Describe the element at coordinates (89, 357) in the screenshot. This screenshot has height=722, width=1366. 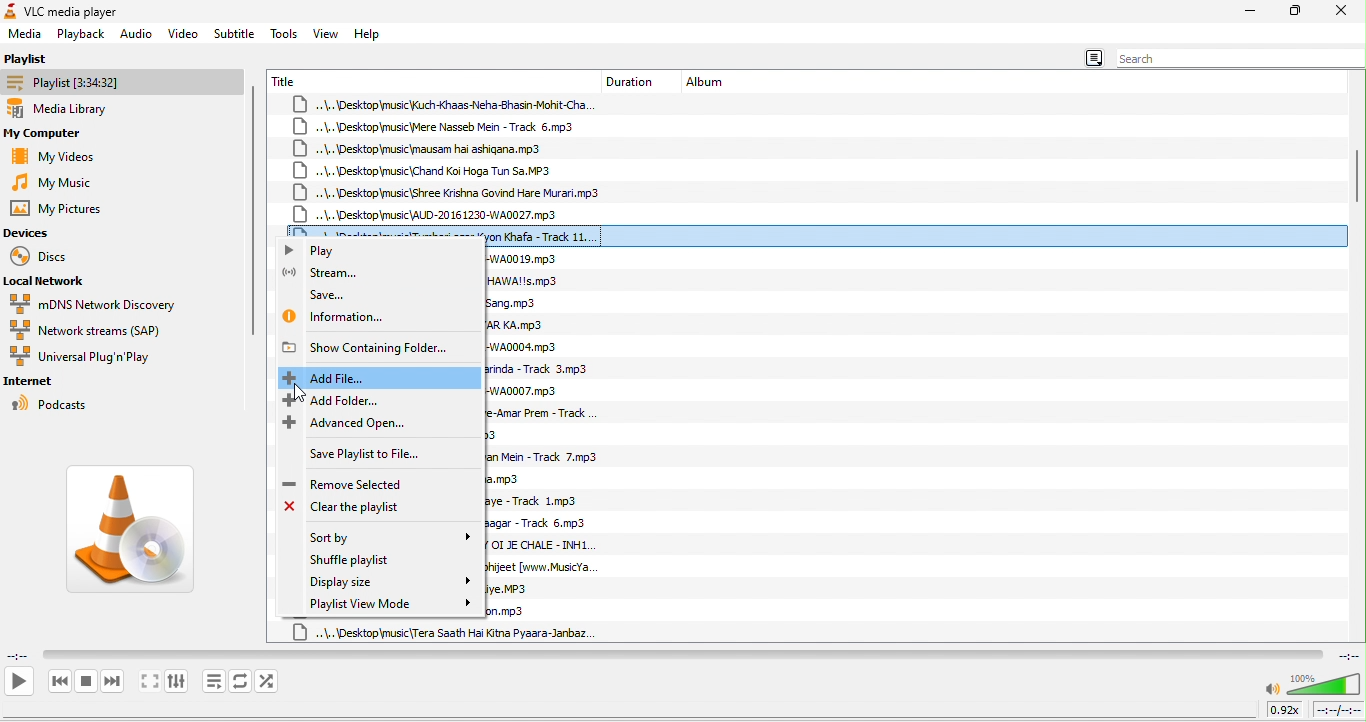
I see `universal plug in play` at that location.